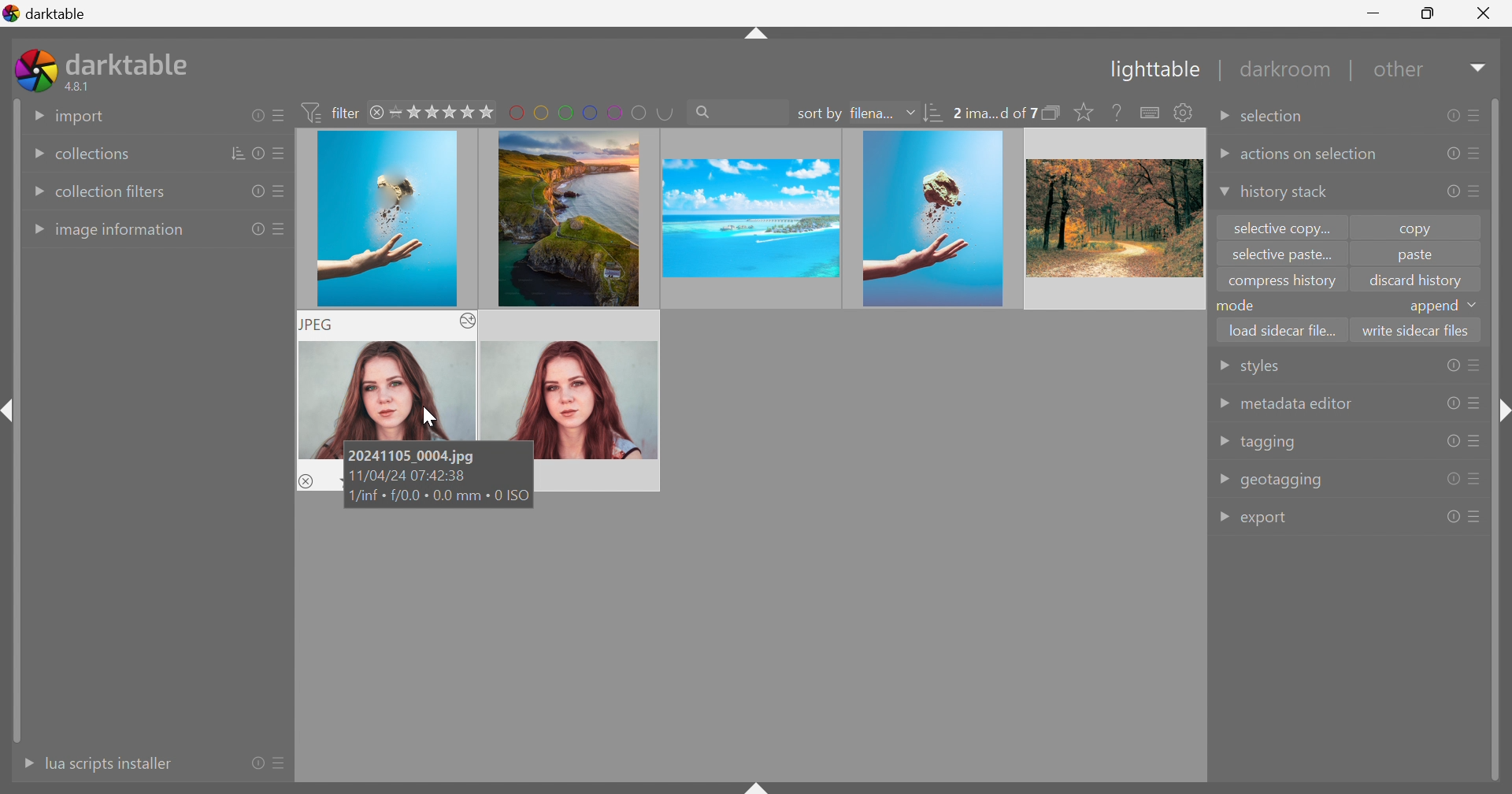 This screenshot has height=794, width=1512. I want to click on image, so click(933, 219).